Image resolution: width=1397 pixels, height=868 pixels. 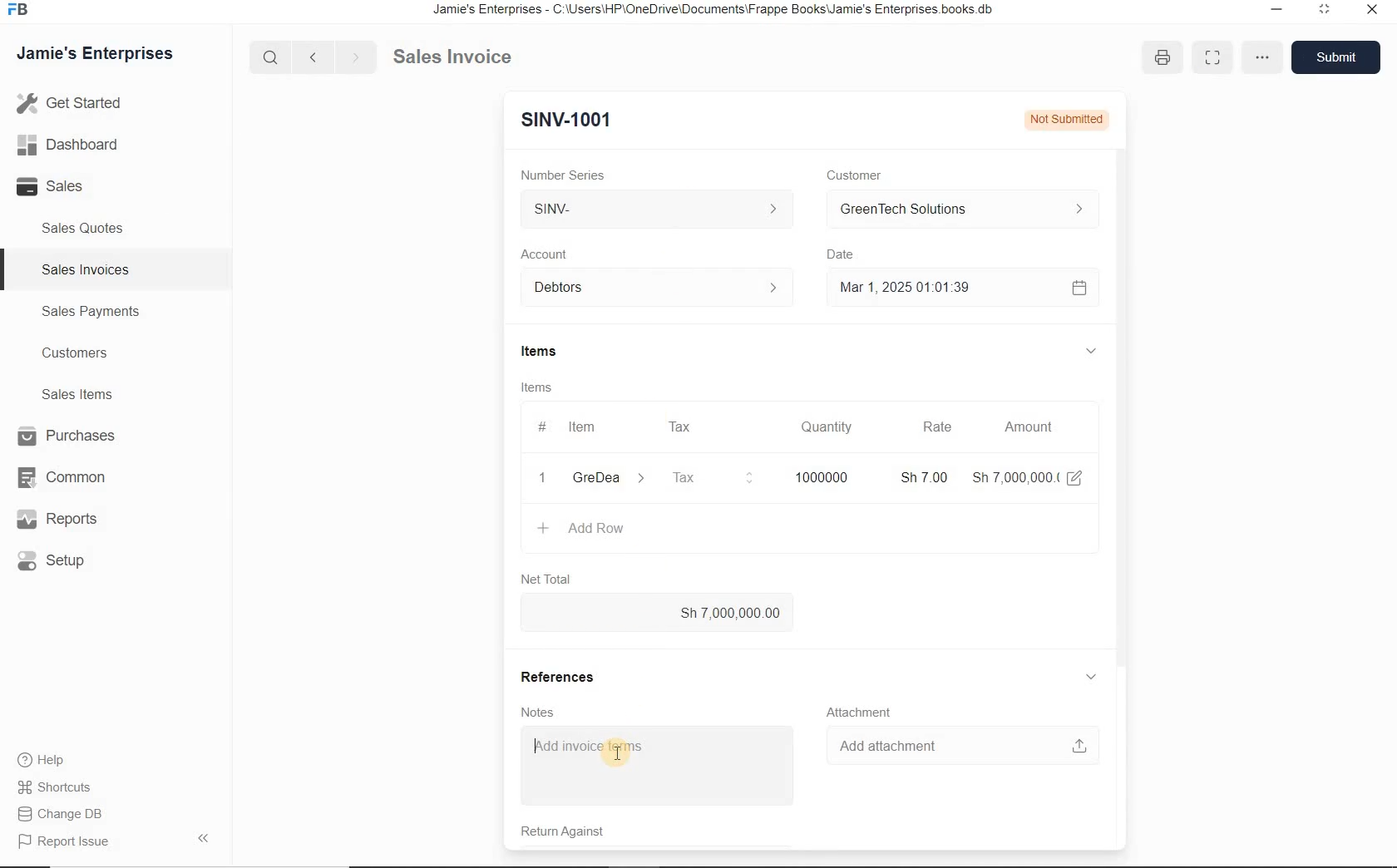 I want to click on Change DB, so click(x=62, y=813).